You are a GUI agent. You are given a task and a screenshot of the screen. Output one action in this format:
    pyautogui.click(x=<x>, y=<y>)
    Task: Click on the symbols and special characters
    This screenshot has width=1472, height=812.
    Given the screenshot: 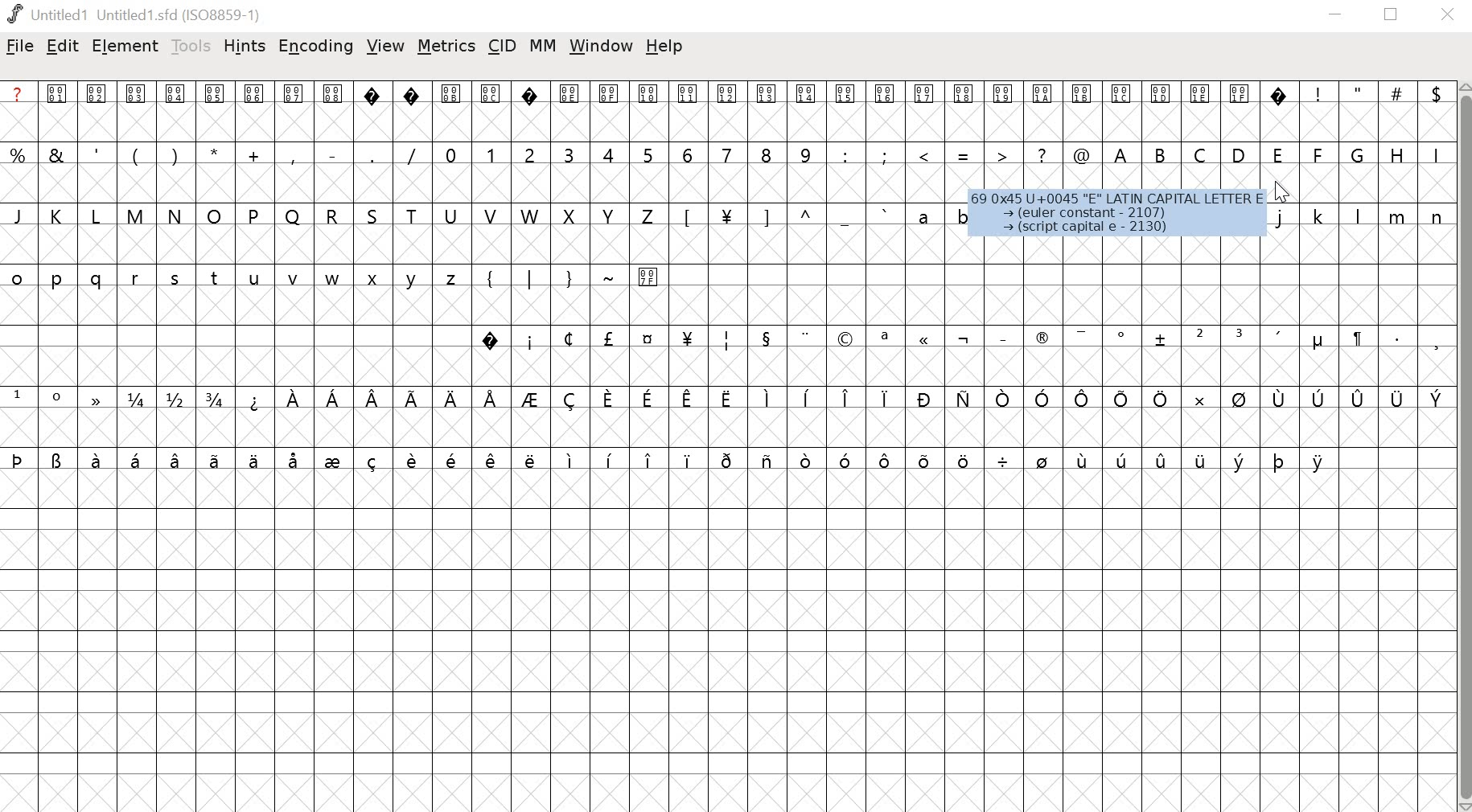 What is the action you would take?
    pyautogui.click(x=569, y=277)
    